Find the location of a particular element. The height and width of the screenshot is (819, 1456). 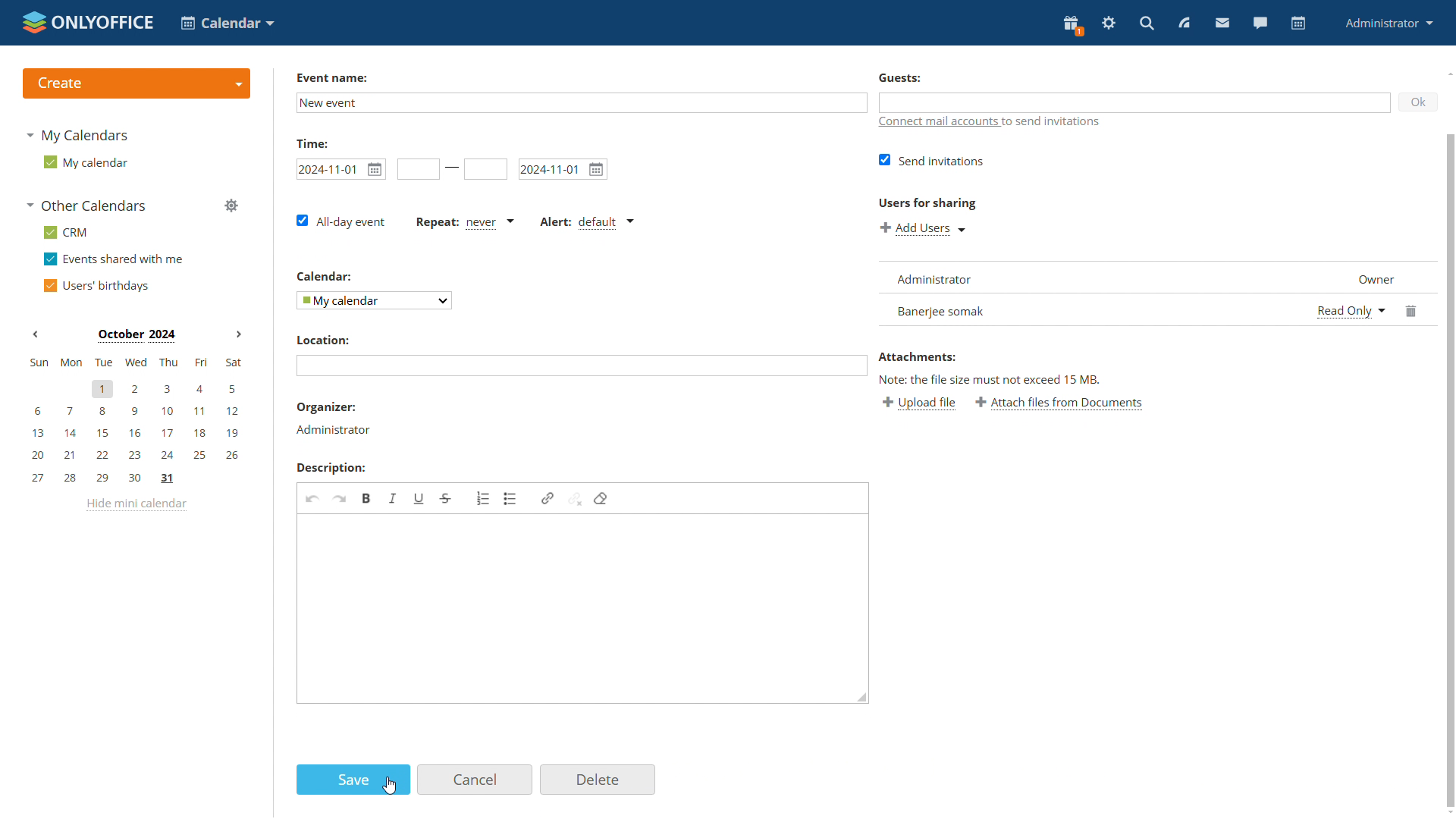

other calendars is located at coordinates (88, 206).